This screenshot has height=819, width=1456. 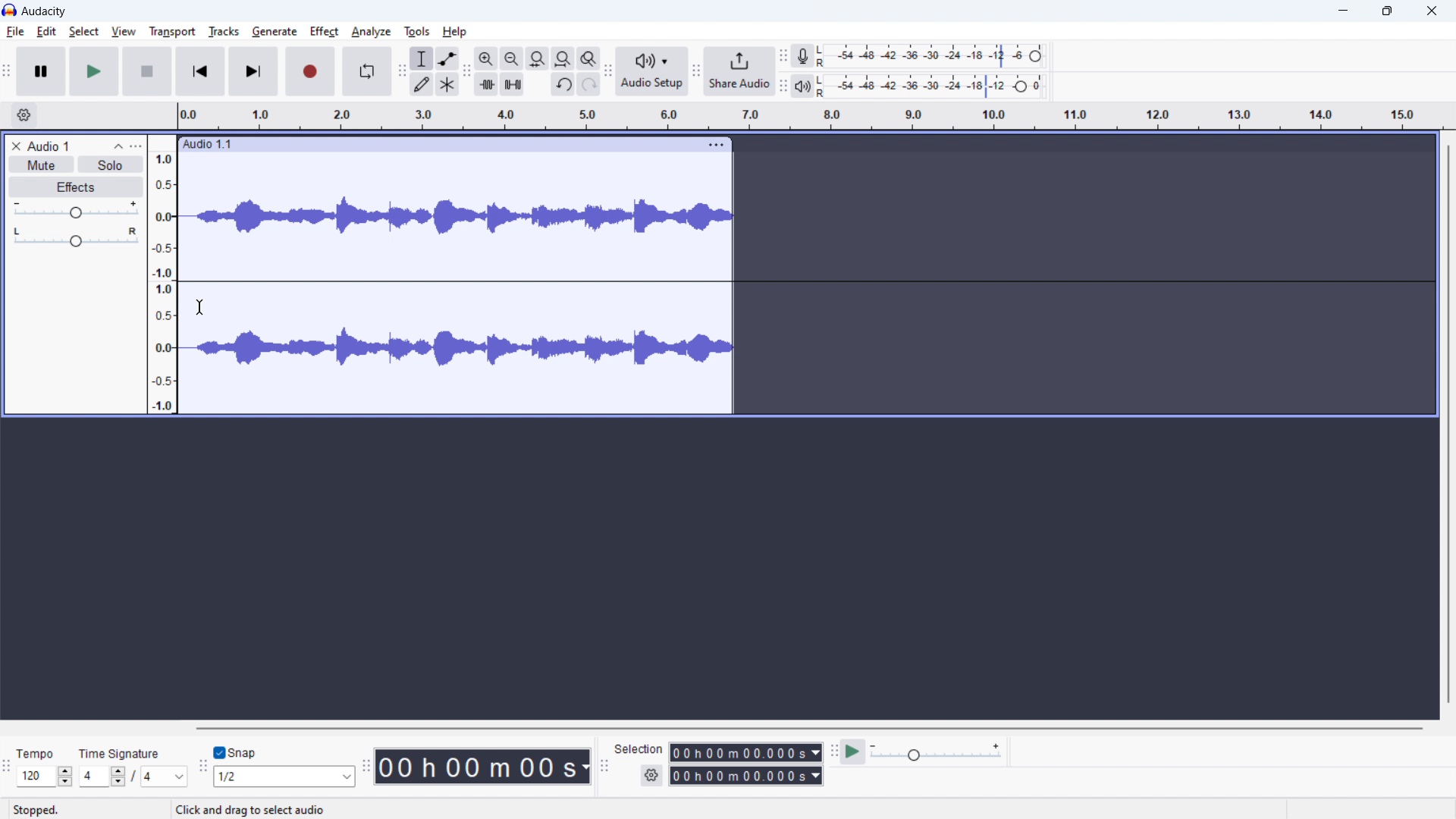 I want to click on skip to end, so click(x=253, y=71).